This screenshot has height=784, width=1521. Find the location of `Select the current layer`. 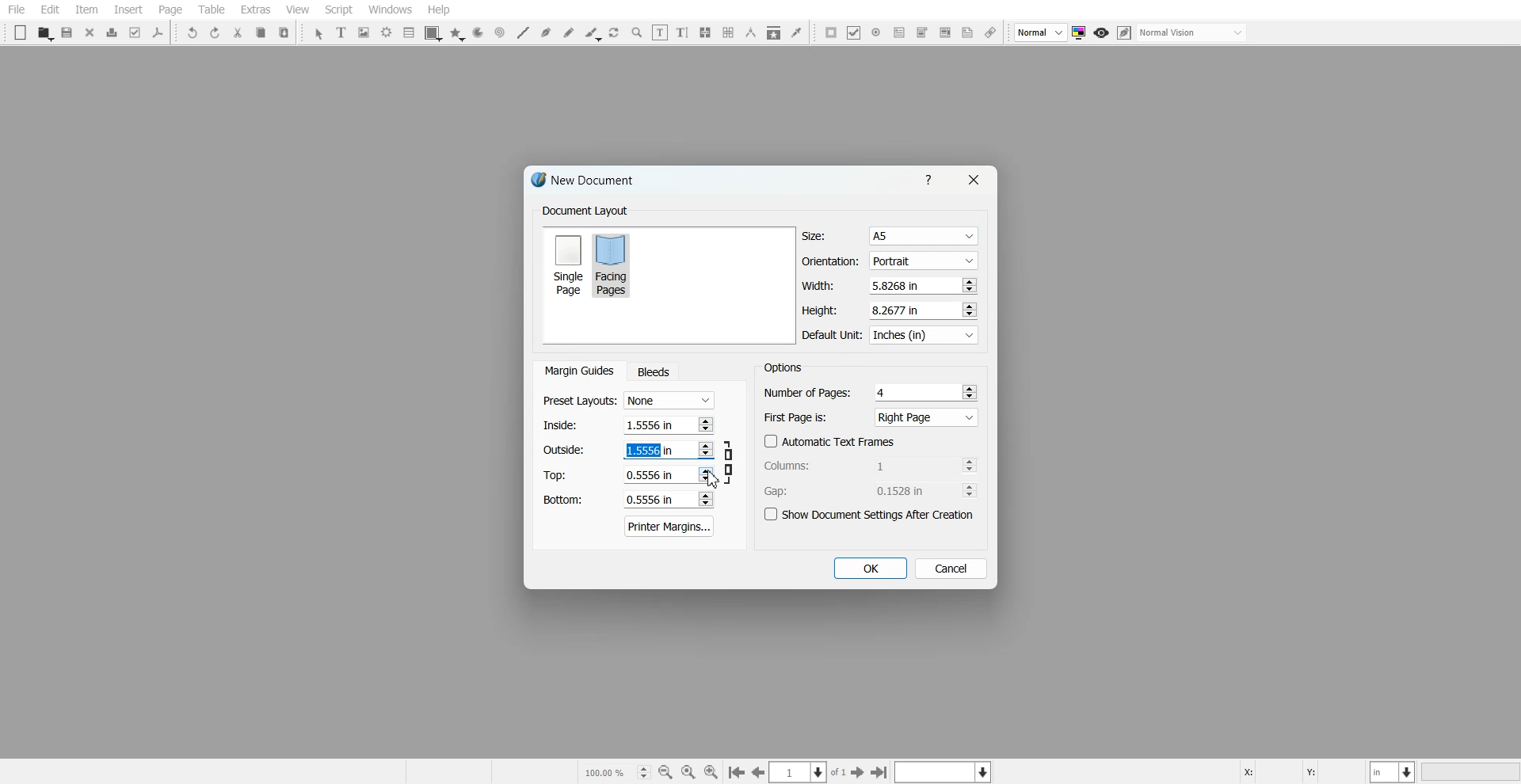

Select the current layer is located at coordinates (945, 771).